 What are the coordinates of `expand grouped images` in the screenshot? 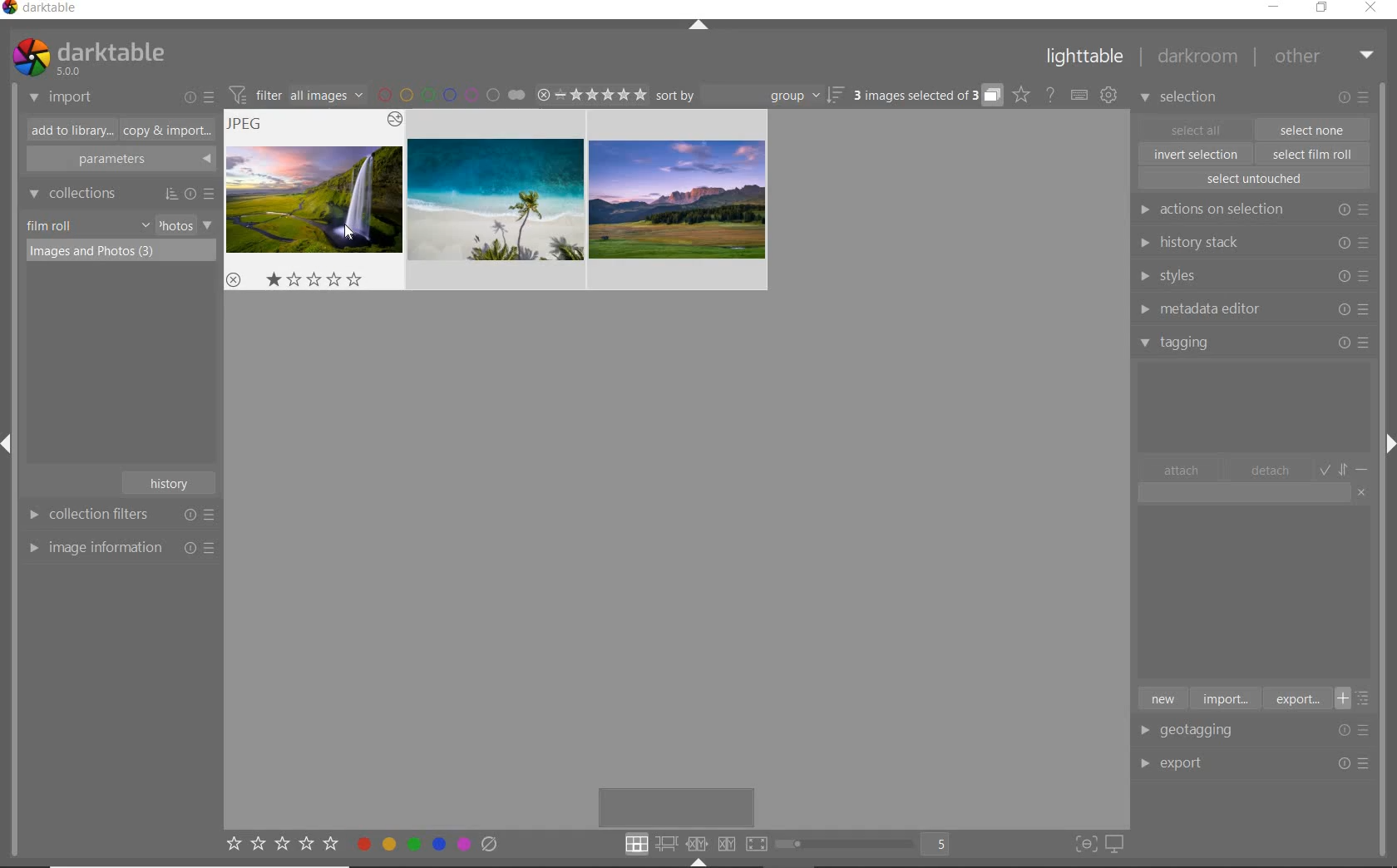 It's located at (926, 96).